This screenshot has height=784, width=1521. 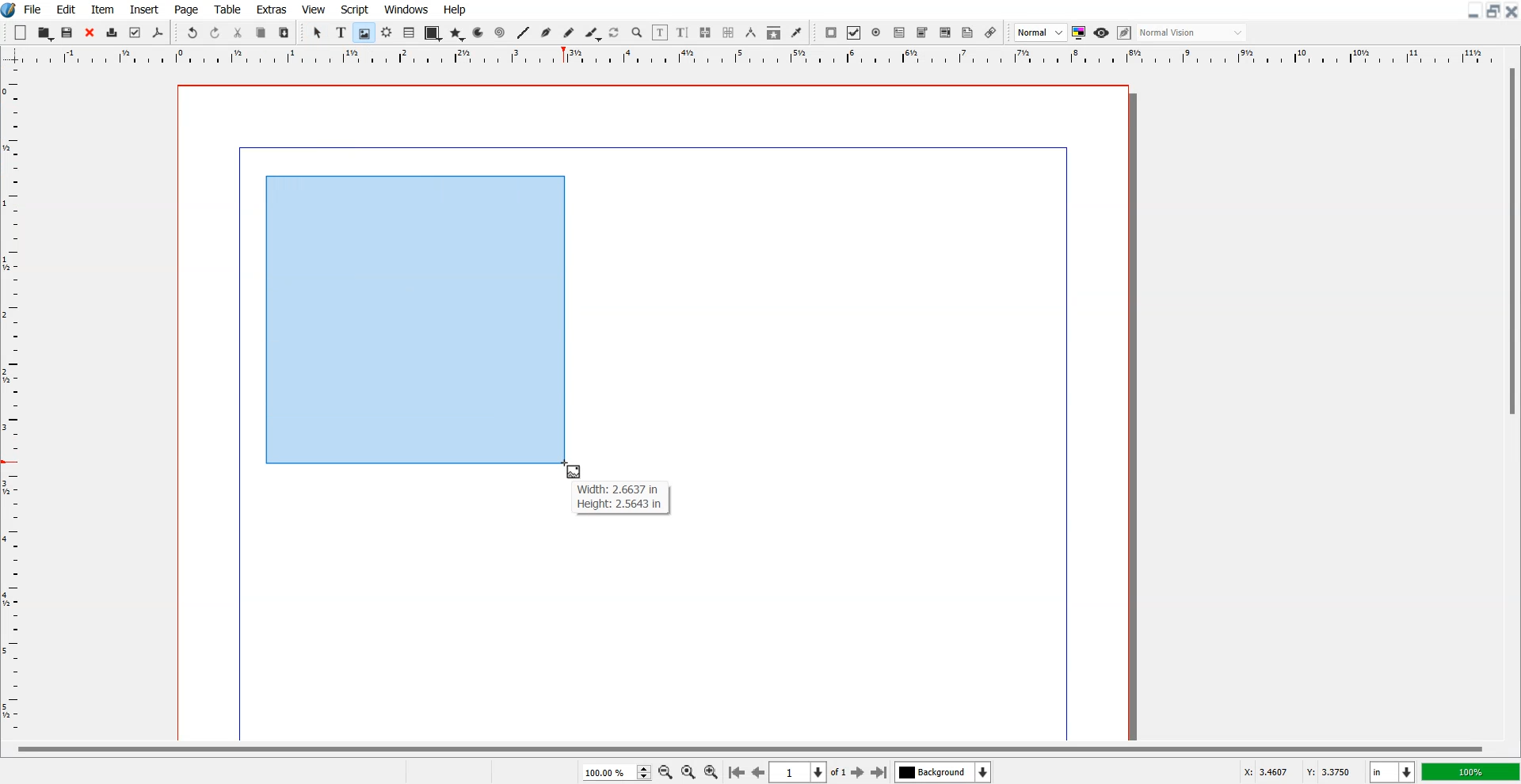 I want to click on Copy Item Properties, so click(x=773, y=32).